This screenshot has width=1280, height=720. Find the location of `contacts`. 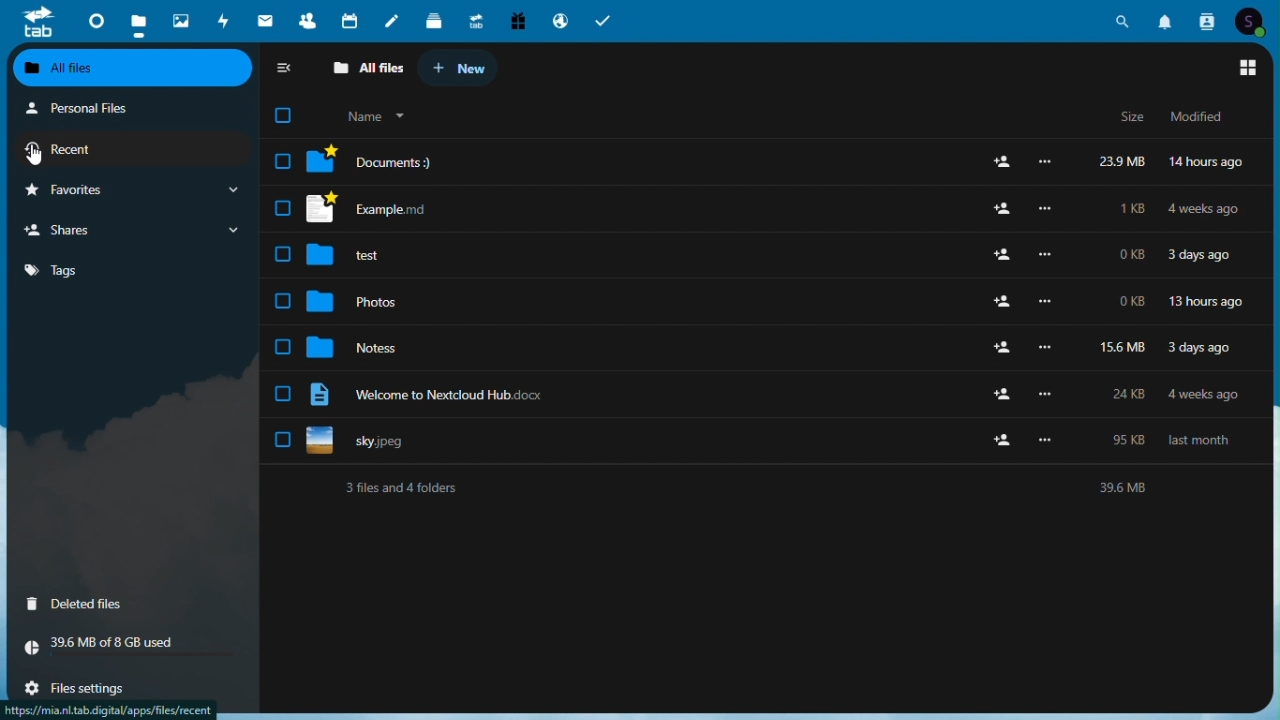

contacts is located at coordinates (302, 17).